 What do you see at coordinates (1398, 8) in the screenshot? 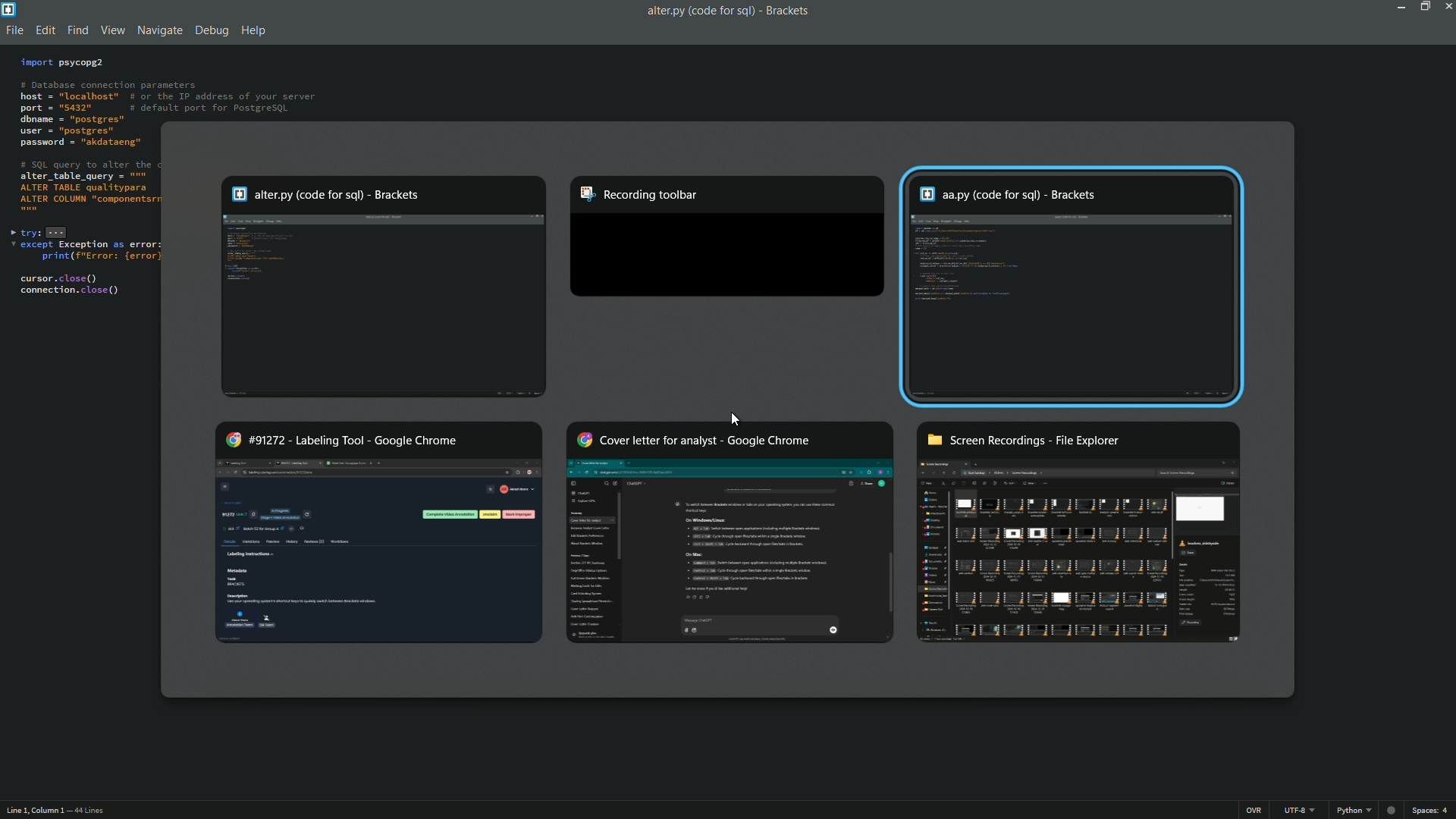
I see `minimize` at bounding box center [1398, 8].